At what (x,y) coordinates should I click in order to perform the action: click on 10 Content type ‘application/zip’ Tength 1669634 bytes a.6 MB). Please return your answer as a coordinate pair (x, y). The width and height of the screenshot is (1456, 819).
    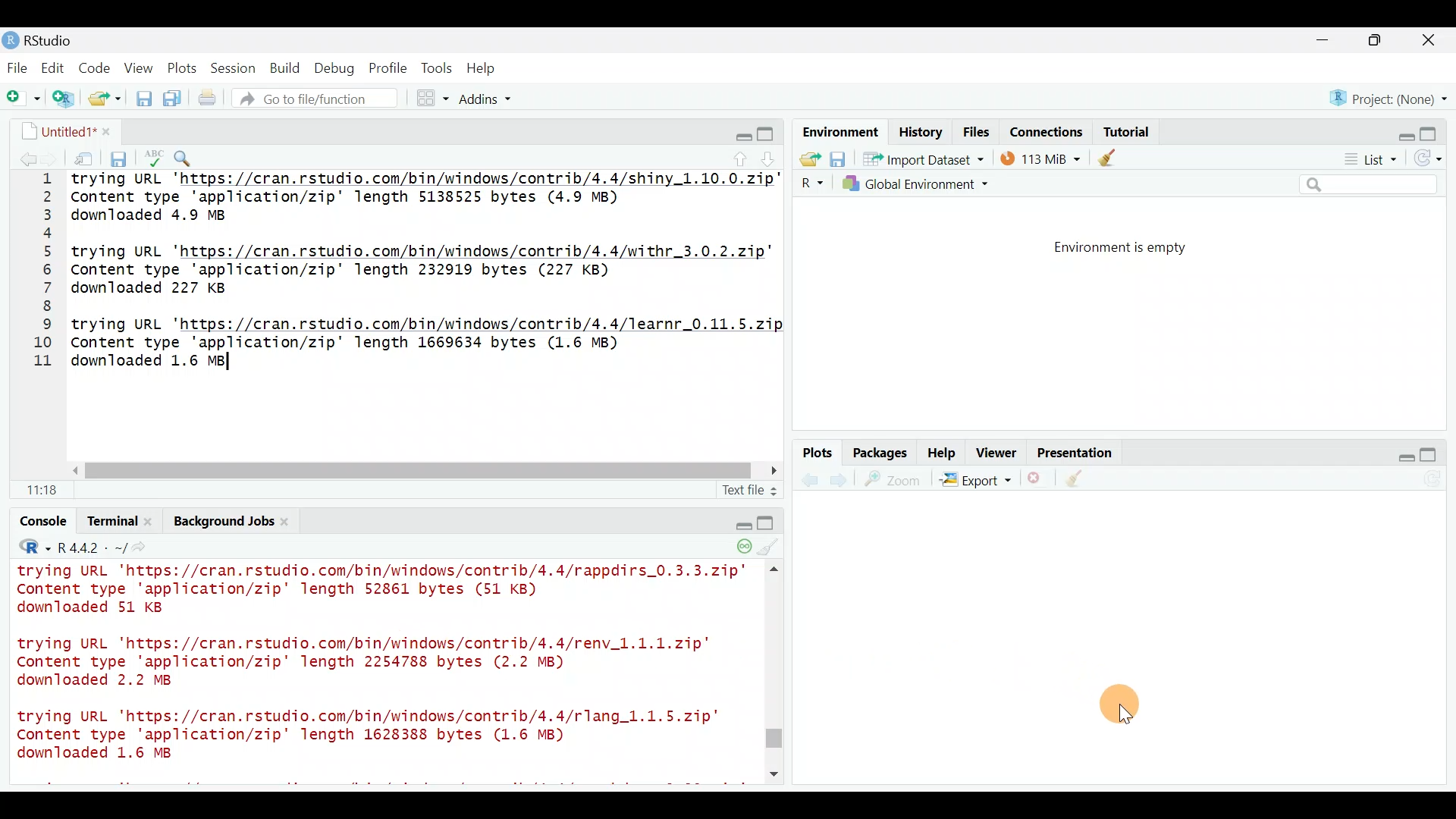
    Looking at the image, I should click on (335, 344).